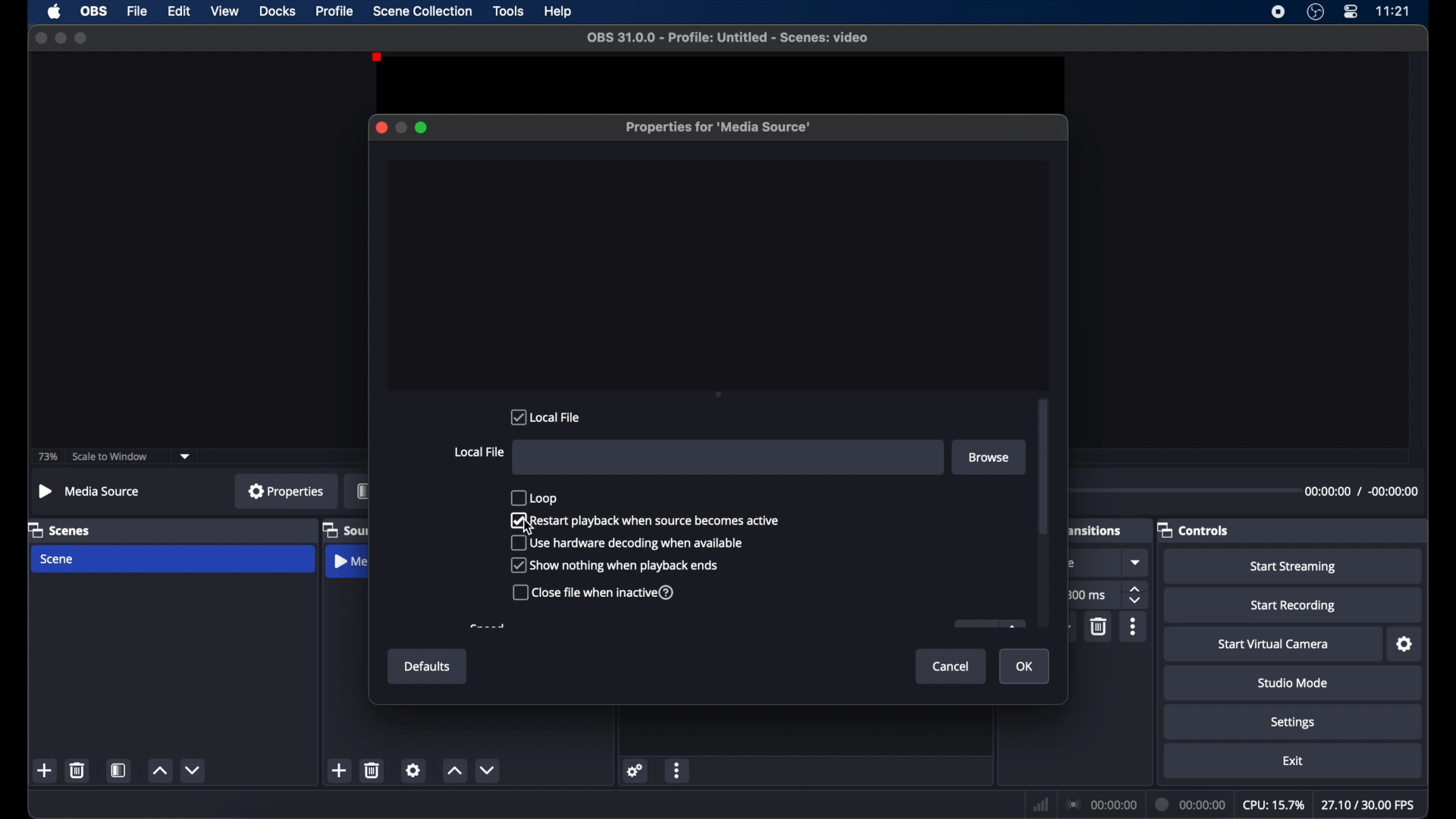 The width and height of the screenshot is (1456, 819). I want to click on start recording, so click(1294, 606).